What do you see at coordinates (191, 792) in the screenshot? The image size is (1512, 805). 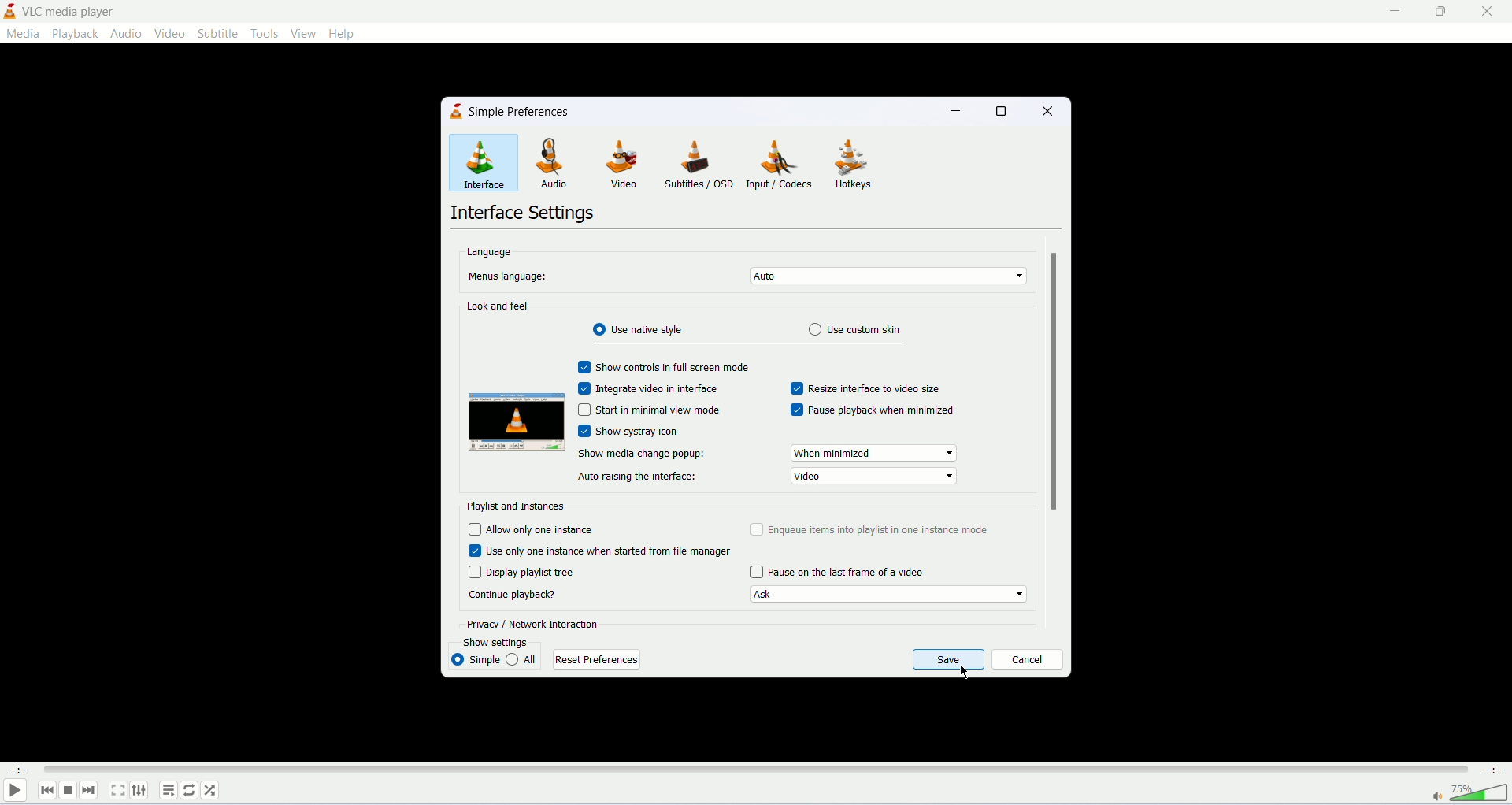 I see `loop` at bounding box center [191, 792].